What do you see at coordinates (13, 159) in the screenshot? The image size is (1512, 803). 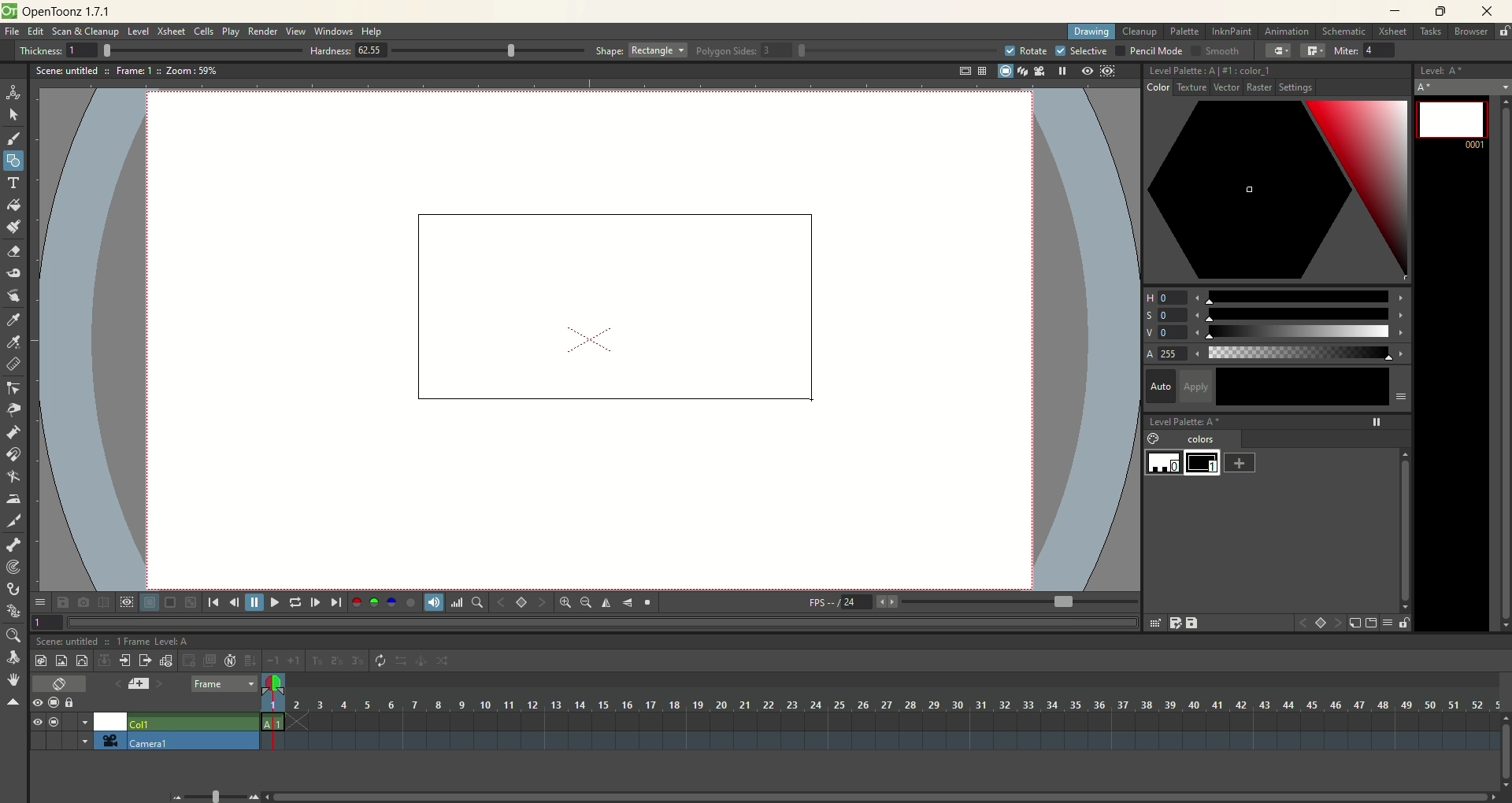 I see `geometry tool` at bounding box center [13, 159].